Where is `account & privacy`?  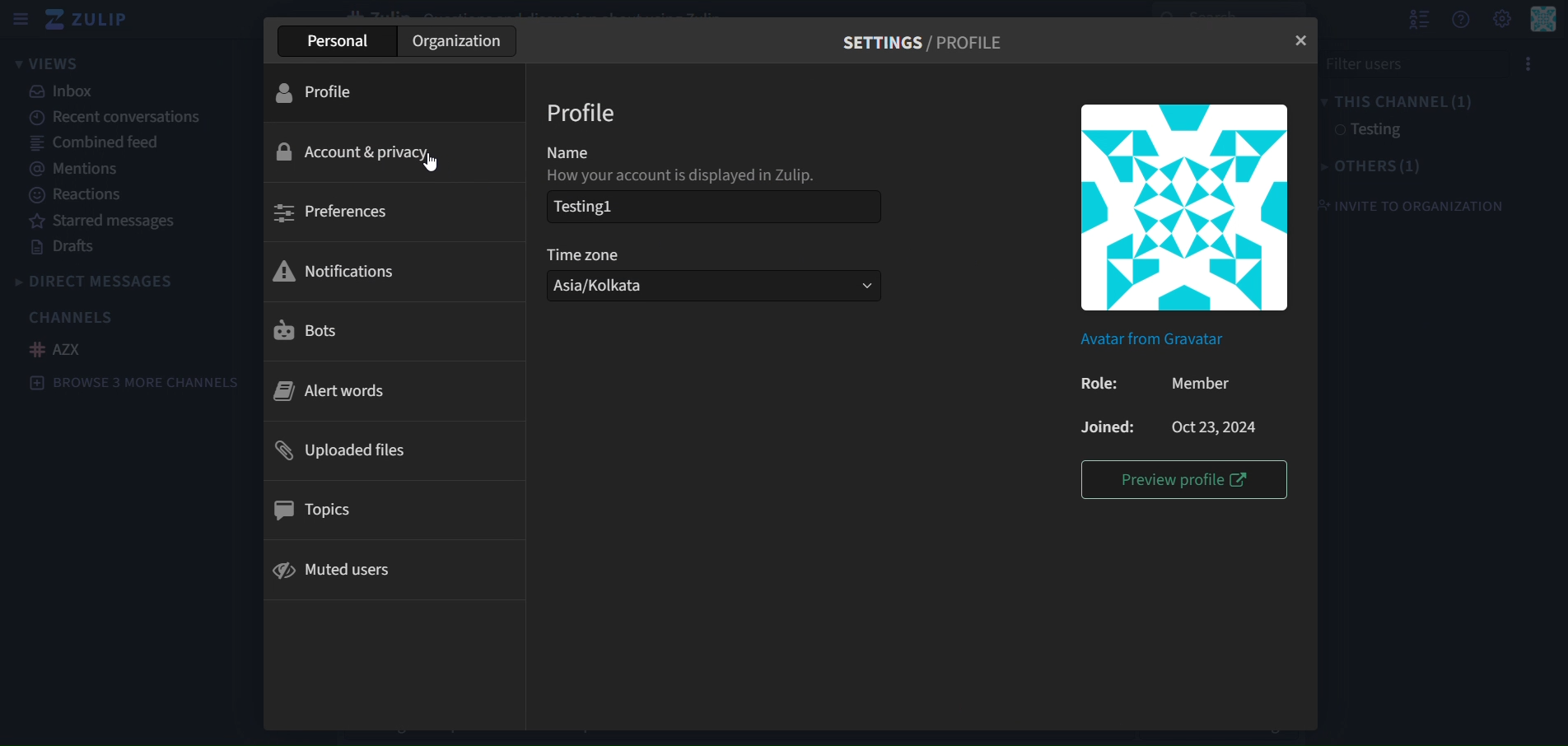
account & privacy is located at coordinates (362, 152).